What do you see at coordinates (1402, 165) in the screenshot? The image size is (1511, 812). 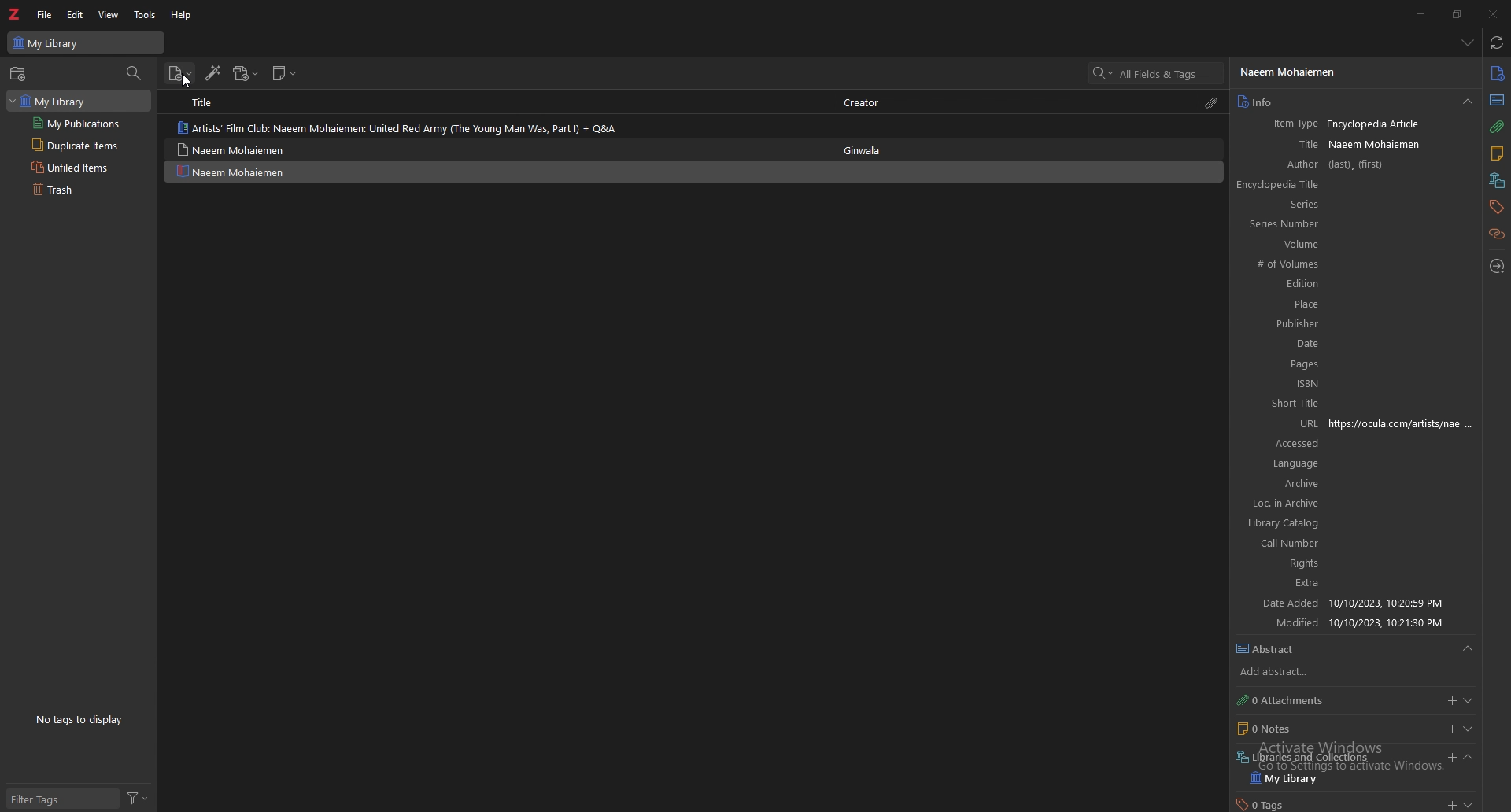 I see `author input` at bounding box center [1402, 165].